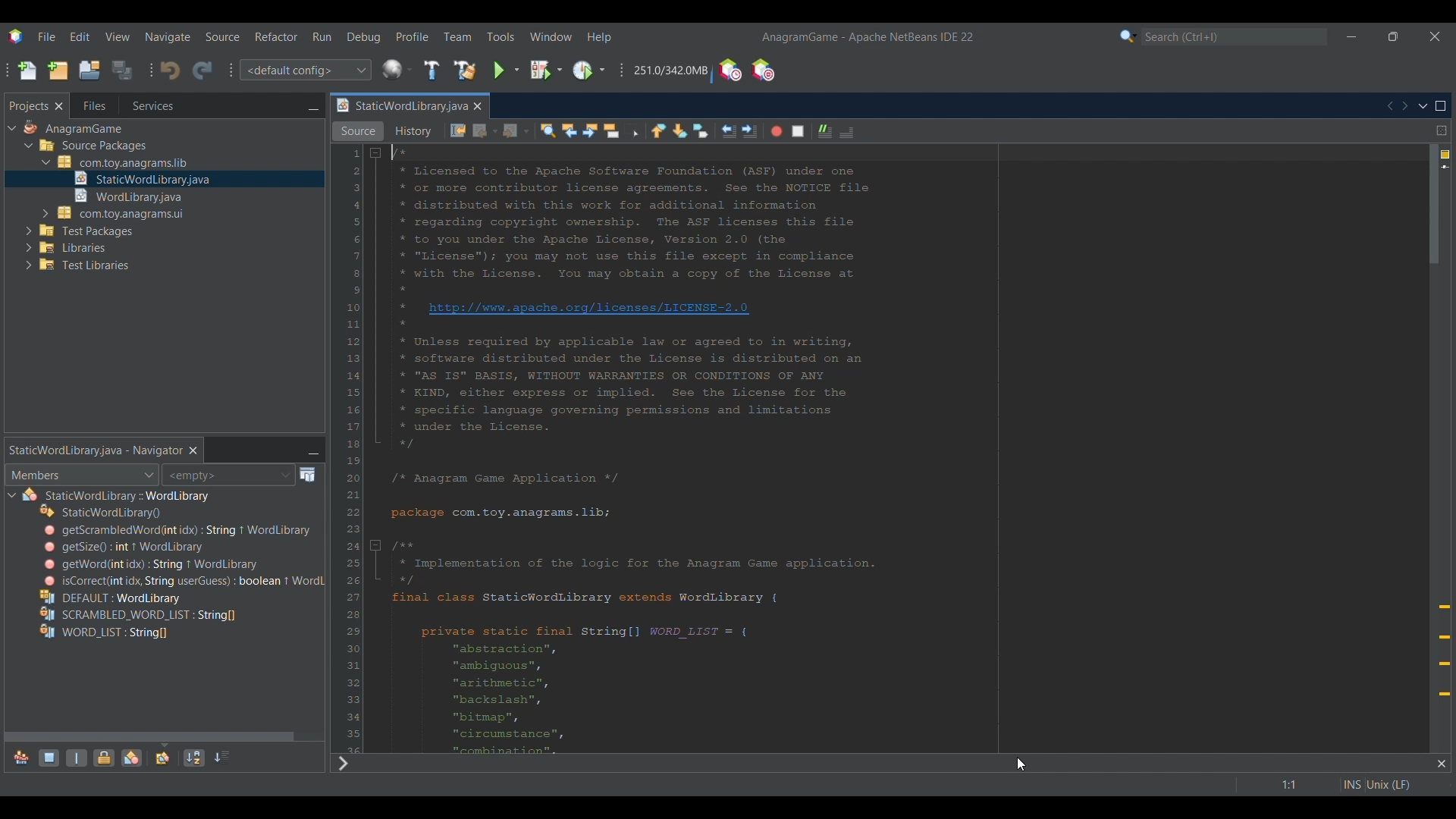 This screenshot has height=819, width=1456. Describe the element at coordinates (138, 613) in the screenshot. I see `` at that location.